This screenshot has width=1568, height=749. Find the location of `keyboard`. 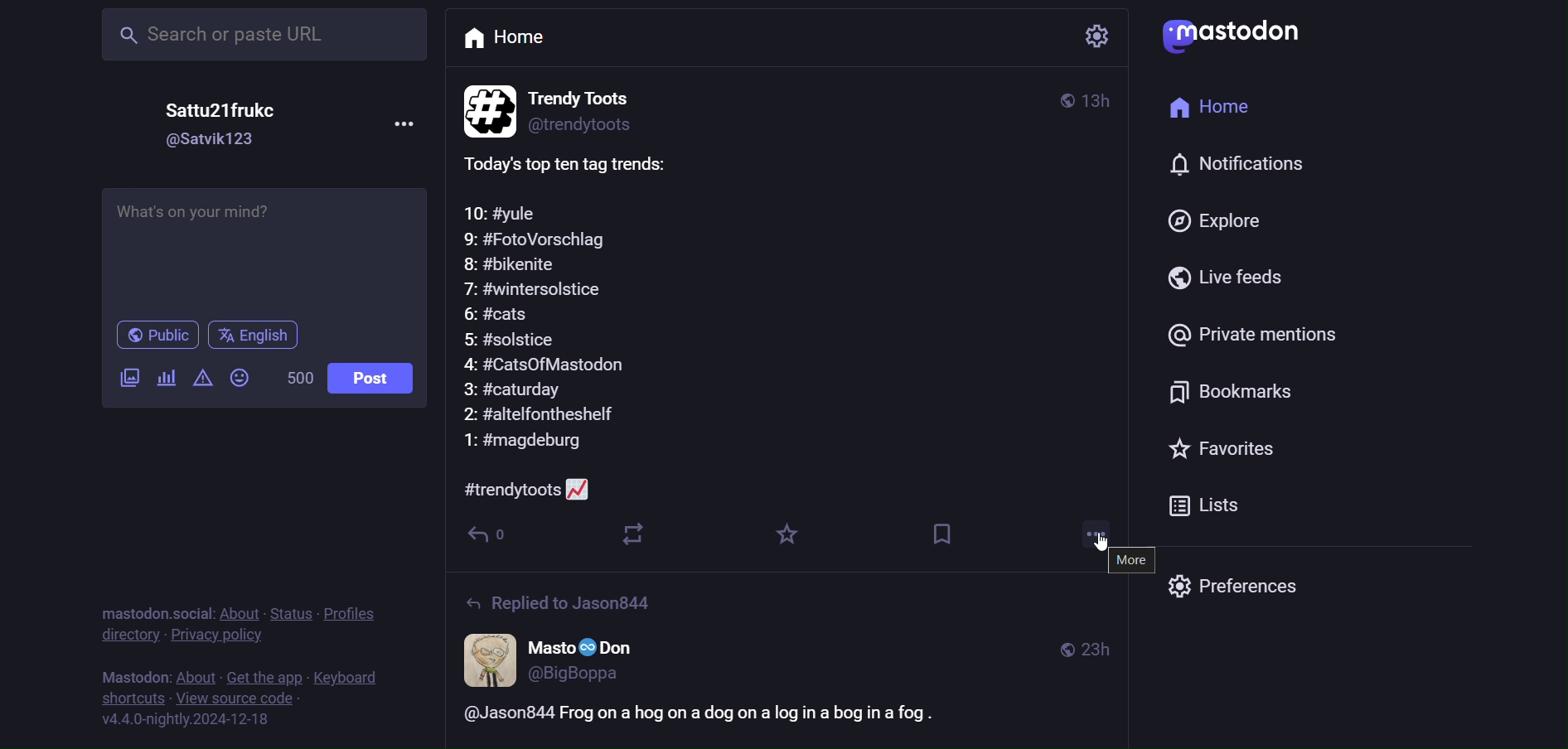

keyboard is located at coordinates (351, 676).